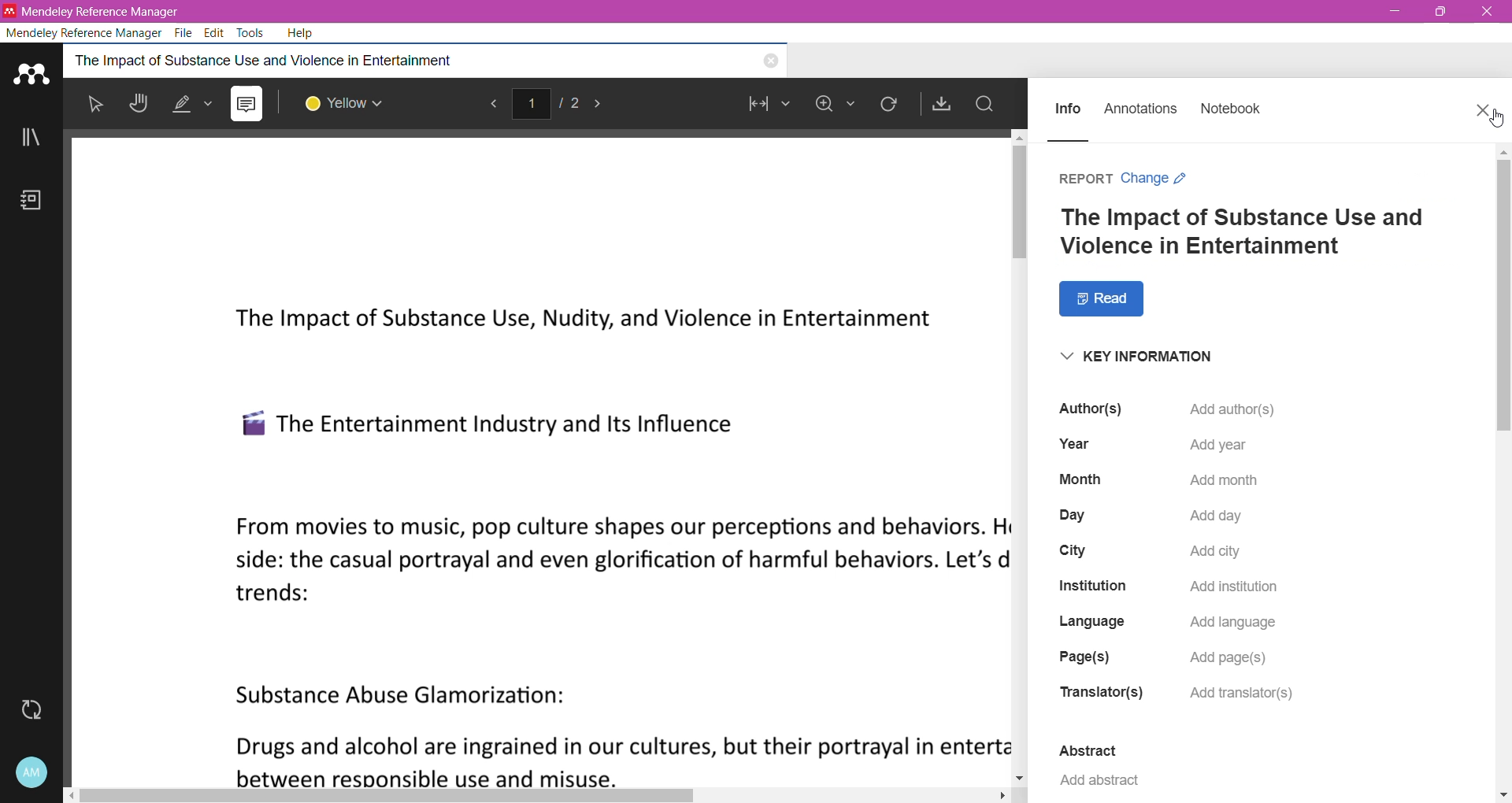 Image resolution: width=1512 pixels, height=803 pixels. What do you see at coordinates (1090, 407) in the screenshot?
I see `Author(s)` at bounding box center [1090, 407].